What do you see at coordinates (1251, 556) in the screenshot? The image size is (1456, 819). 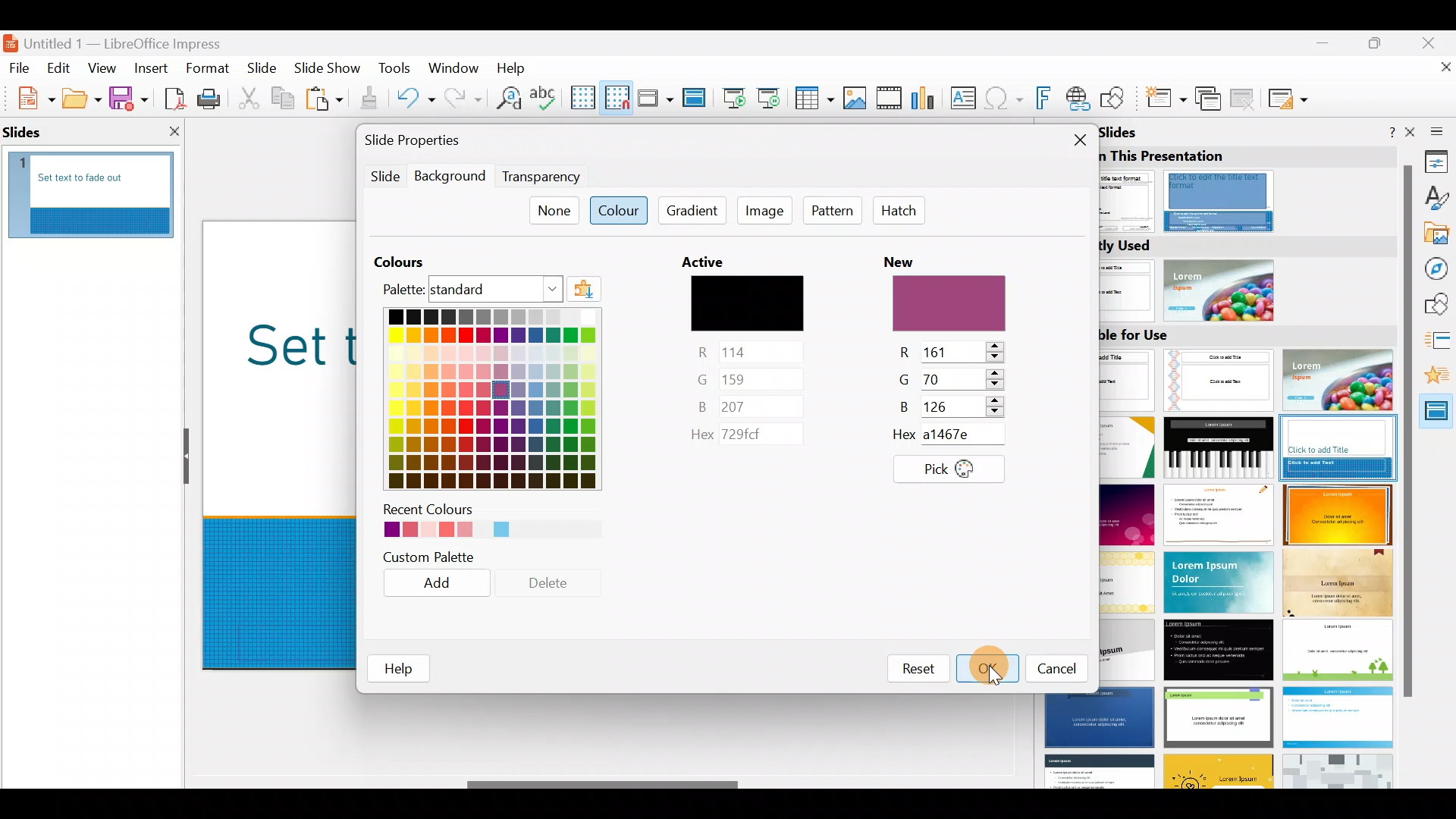 I see `Slides available for use` at bounding box center [1251, 556].